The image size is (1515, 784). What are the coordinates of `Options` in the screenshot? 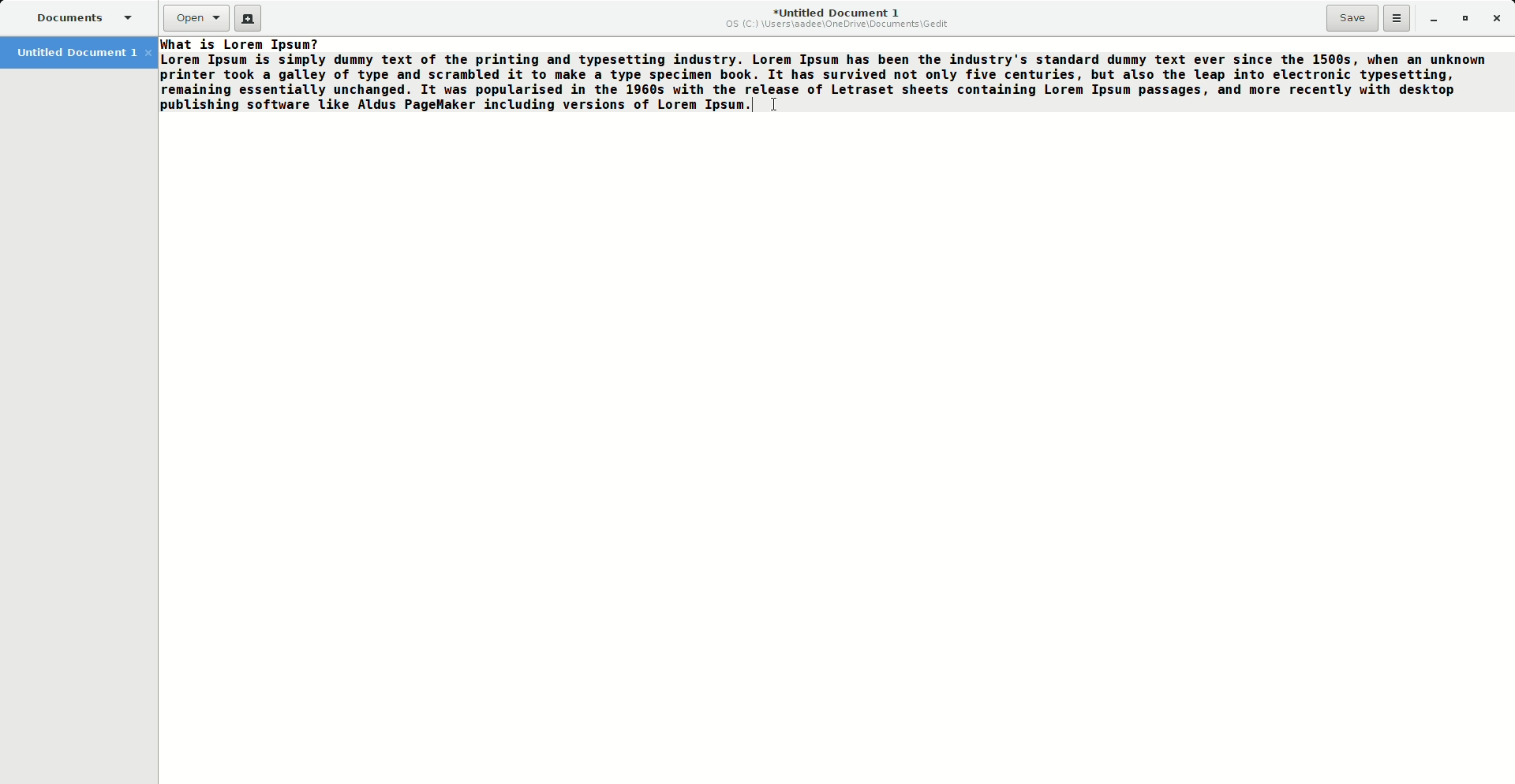 It's located at (1397, 17).